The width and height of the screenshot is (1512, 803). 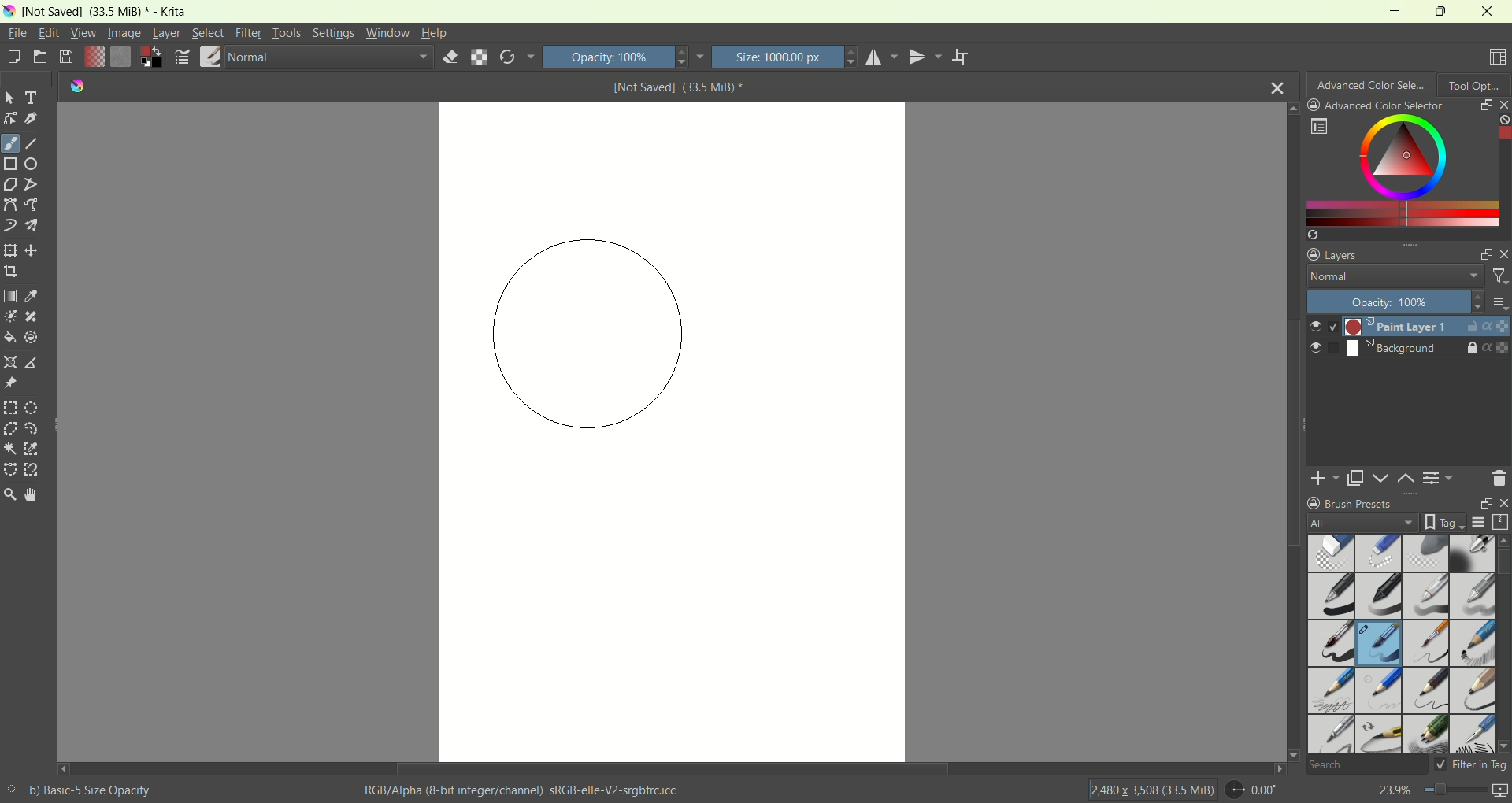 What do you see at coordinates (1329, 692) in the screenshot?
I see `pencil 2b` at bounding box center [1329, 692].